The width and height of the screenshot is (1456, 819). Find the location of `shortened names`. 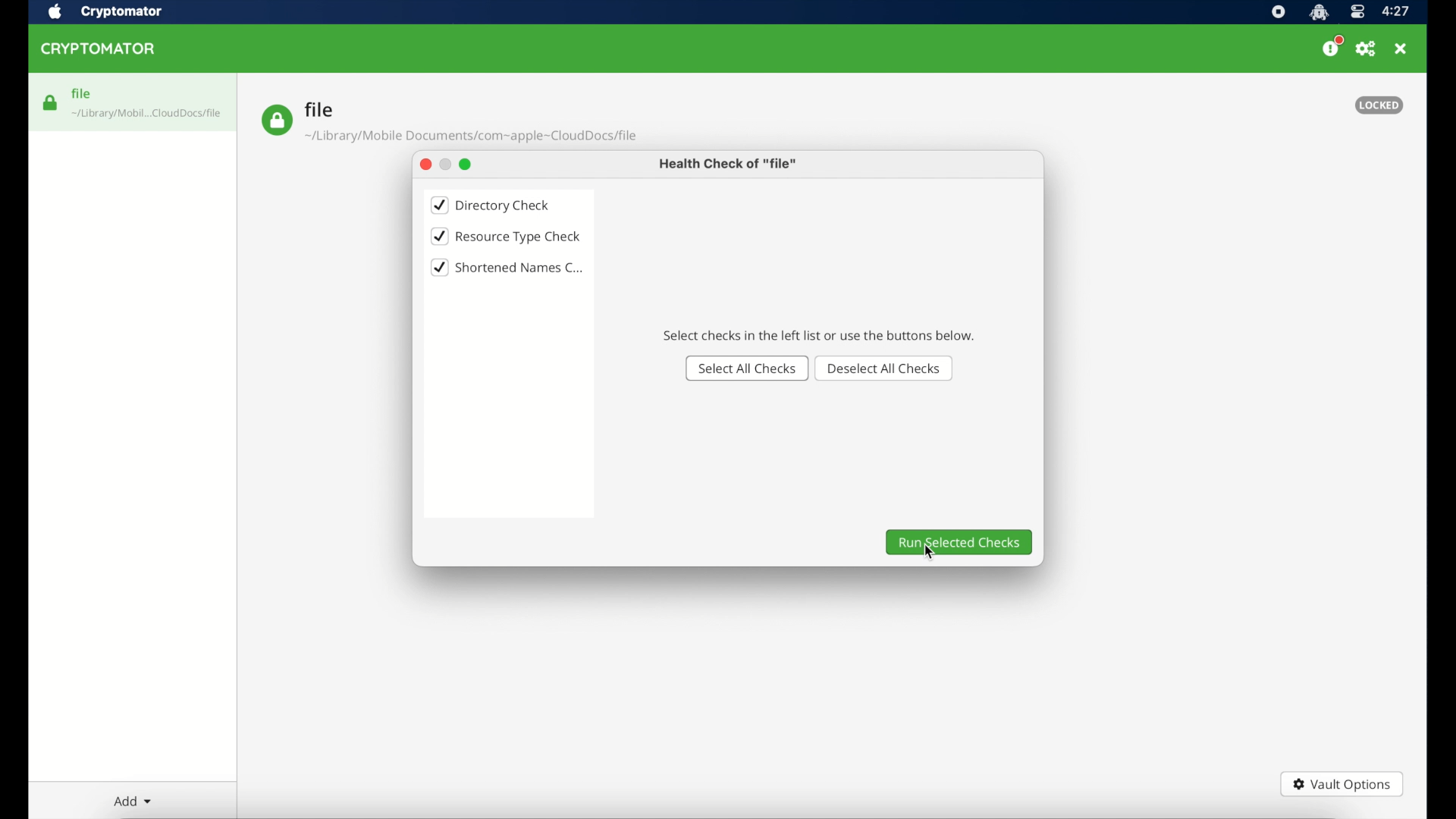

shortened names is located at coordinates (508, 268).